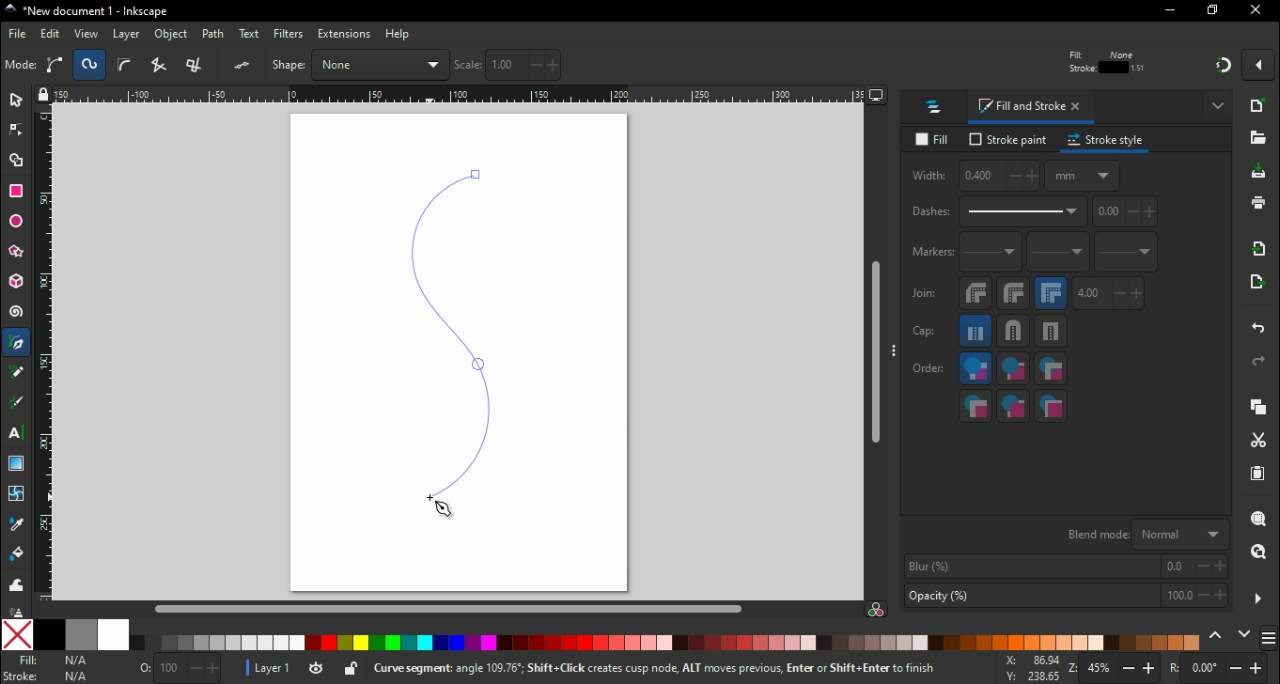  What do you see at coordinates (84, 12) in the screenshot?
I see `icon and filename` at bounding box center [84, 12].